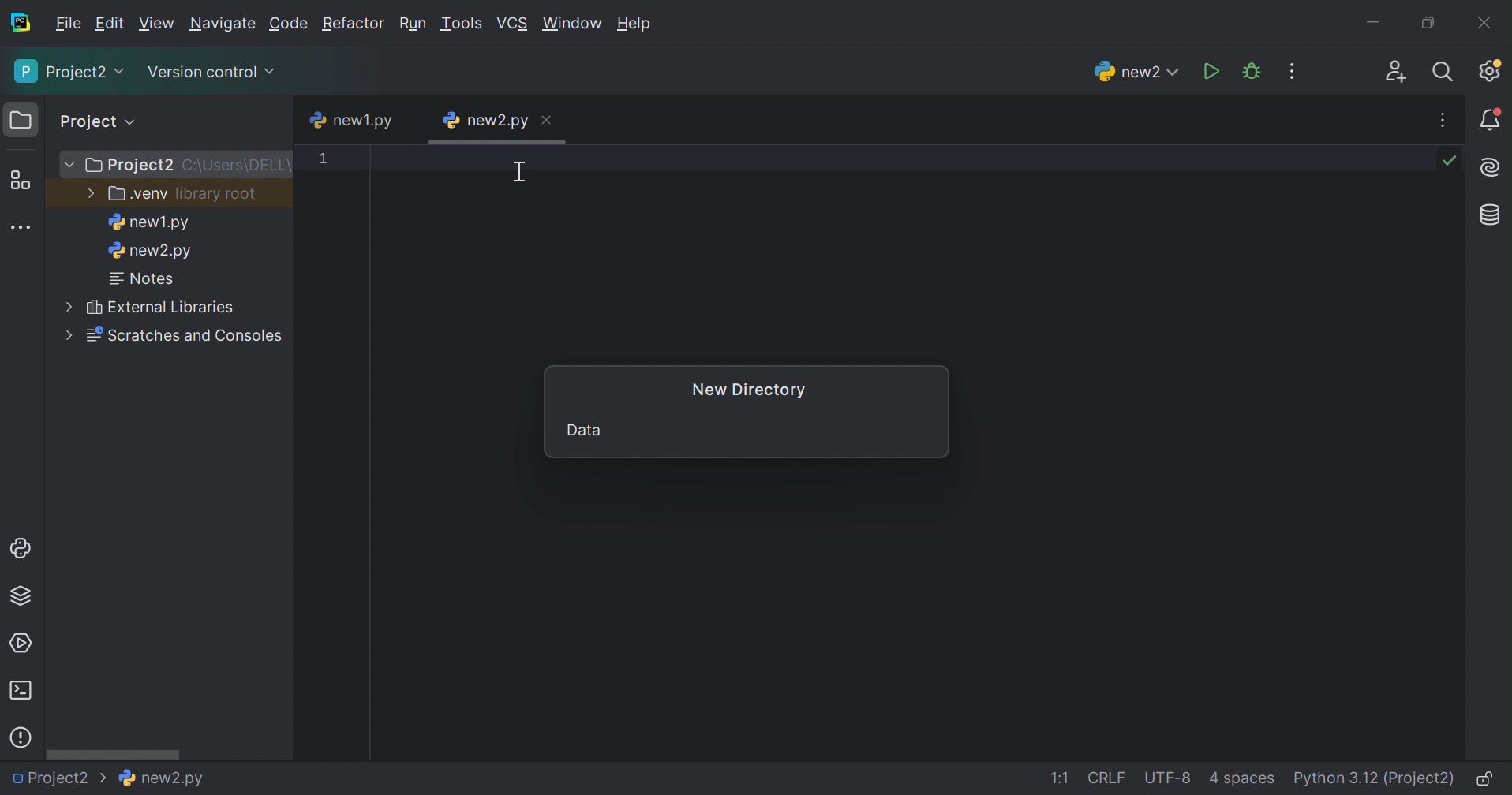 The width and height of the screenshot is (1512, 795). I want to click on Help, so click(636, 22).